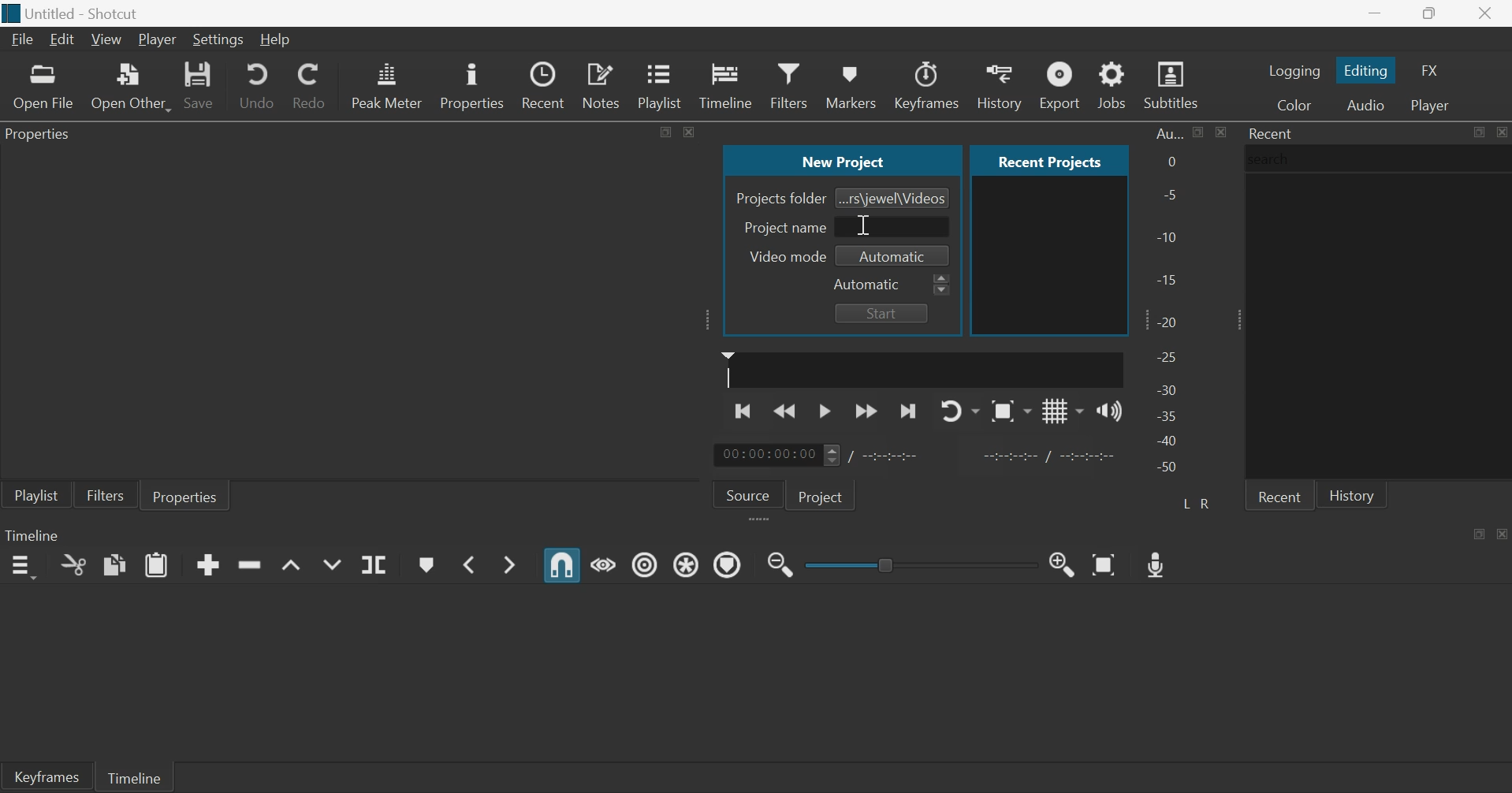 This screenshot has height=793, width=1512. I want to click on Start, so click(881, 313).